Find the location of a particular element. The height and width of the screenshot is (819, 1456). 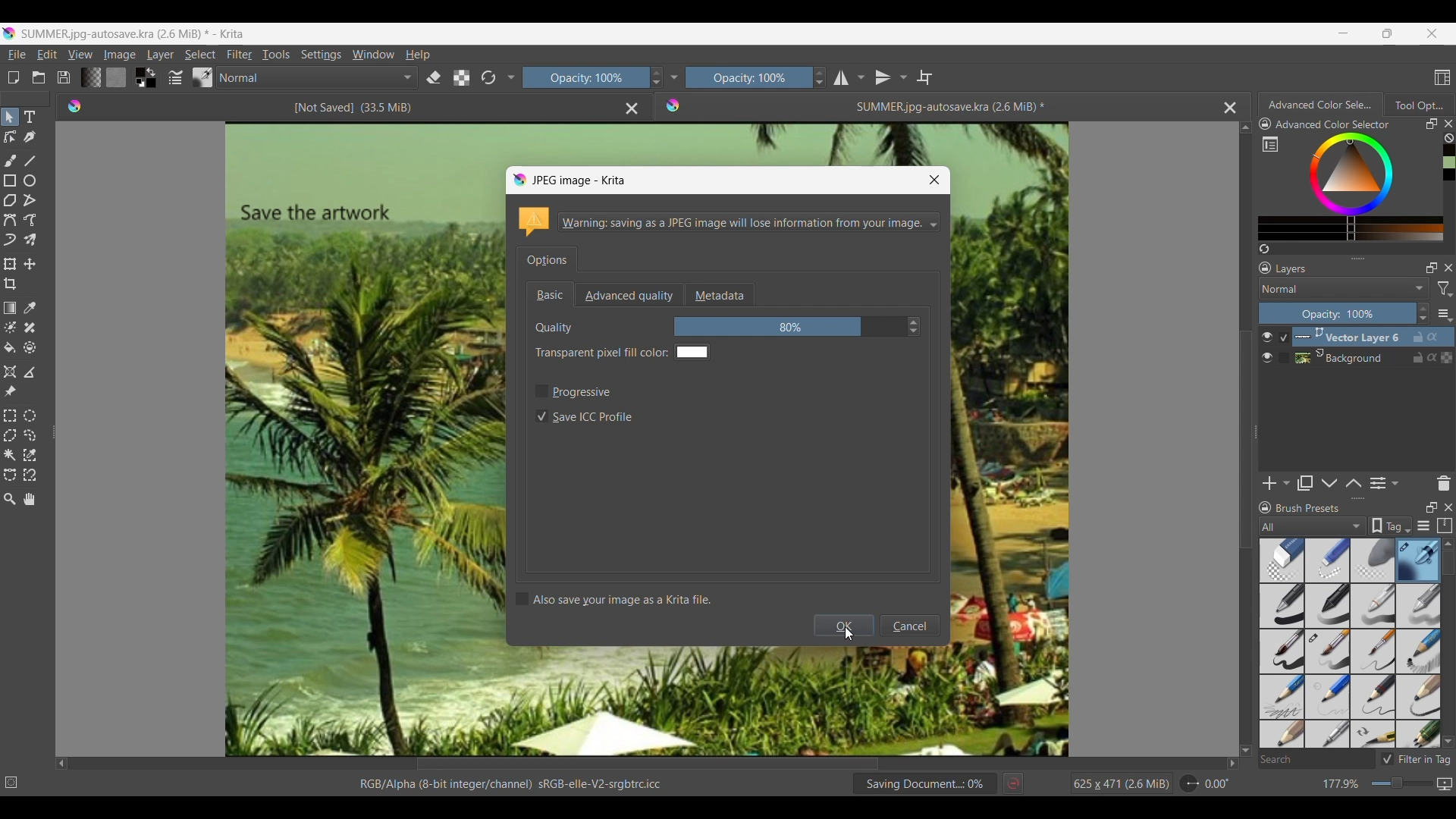

Layer is located at coordinates (160, 54).